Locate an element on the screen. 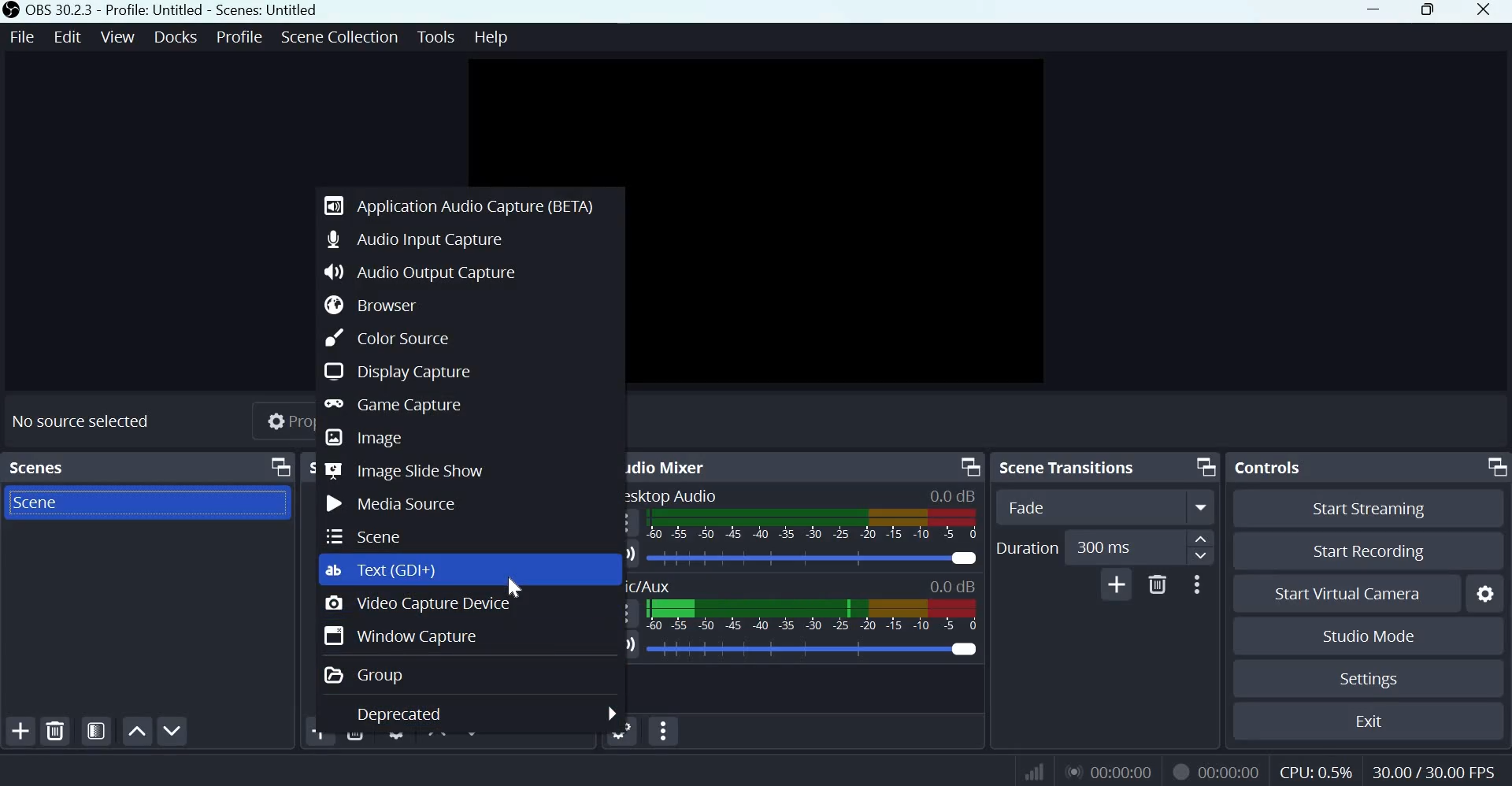  Recording Status Icon is located at coordinates (1178, 771).